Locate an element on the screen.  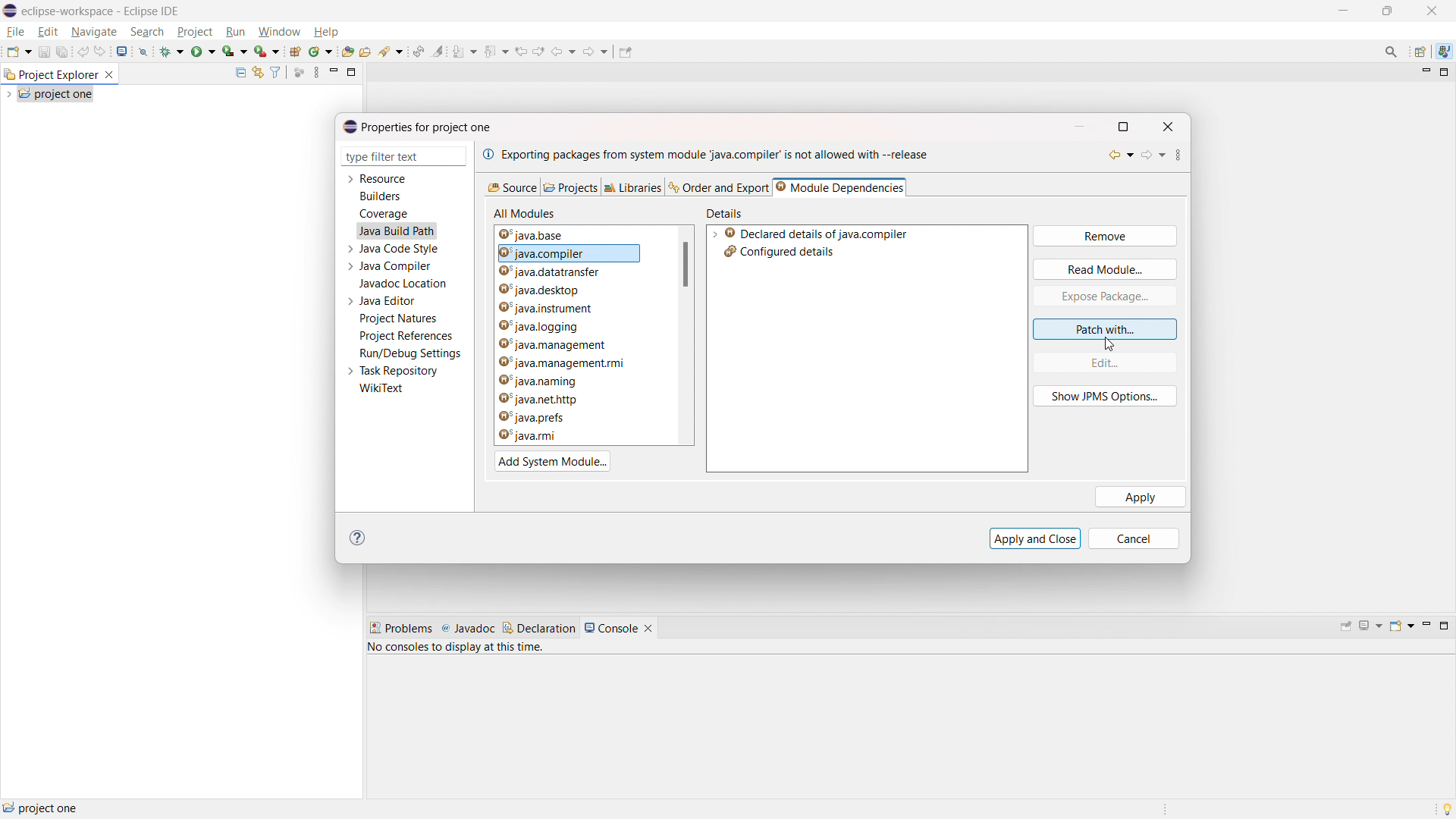
cursor  is located at coordinates (1109, 345).